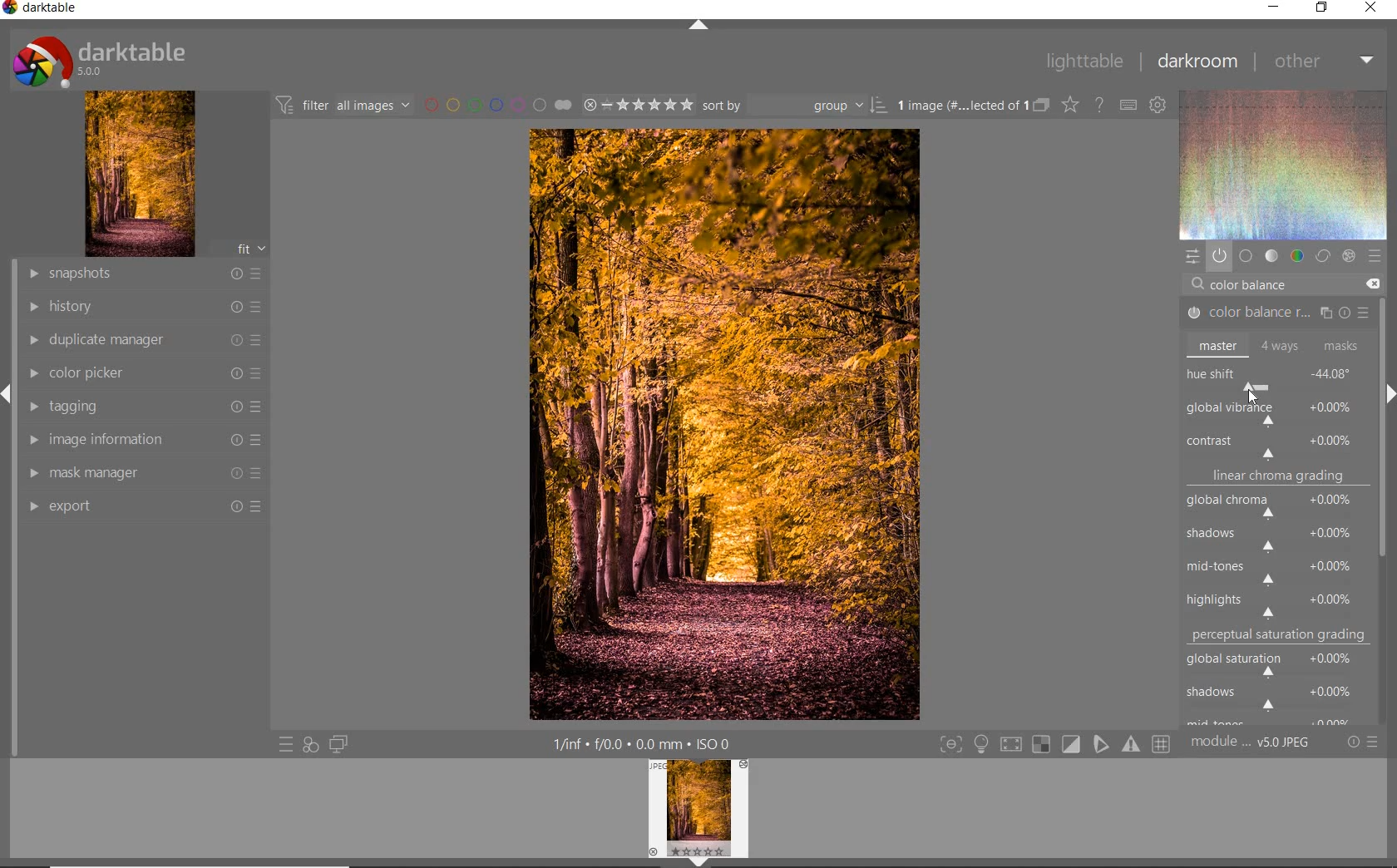 This screenshot has width=1397, height=868. Describe the element at coordinates (1273, 313) in the screenshot. I see `COLOR BALANCE RGB` at that location.